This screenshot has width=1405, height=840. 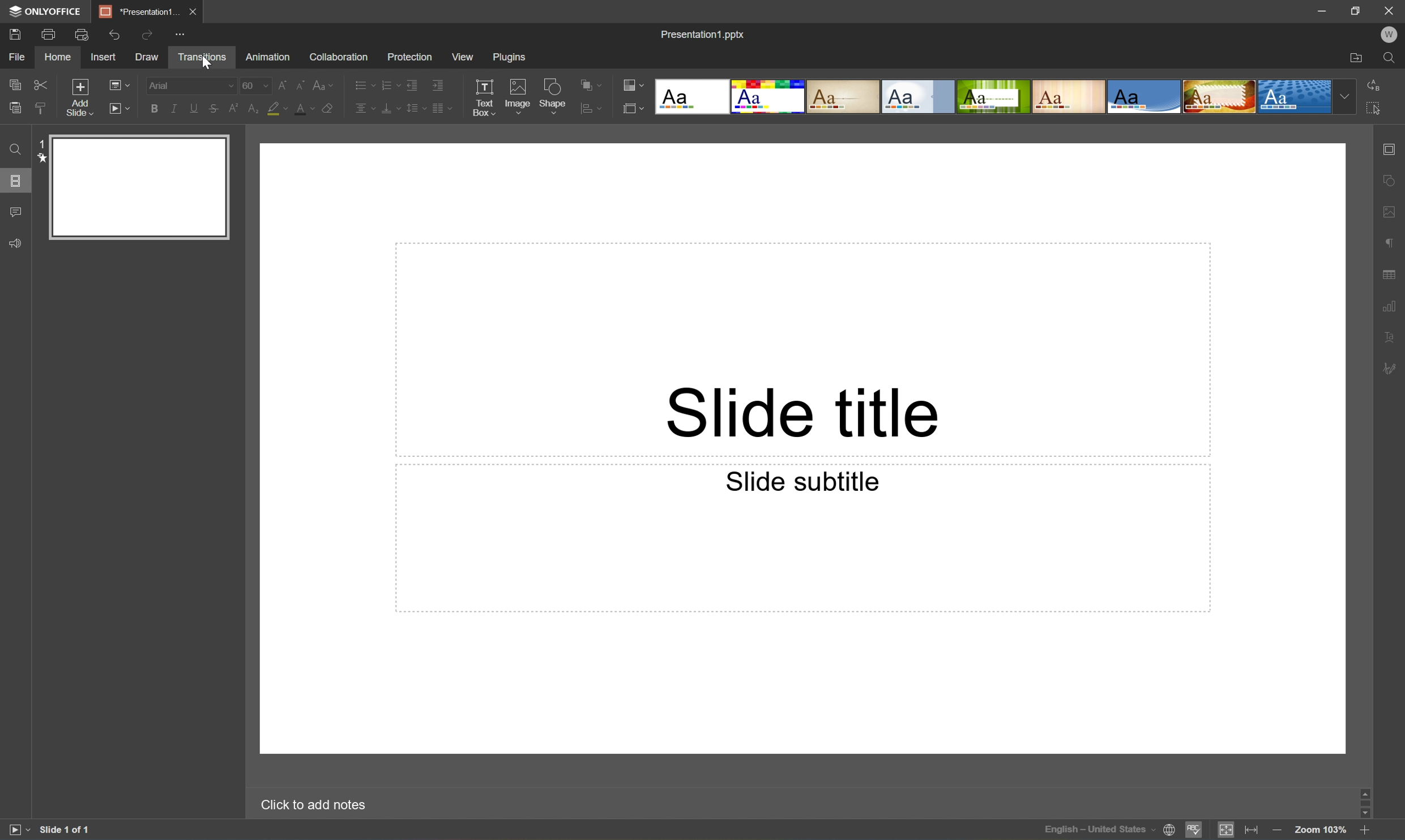 What do you see at coordinates (588, 107) in the screenshot?
I see `Align shape` at bounding box center [588, 107].